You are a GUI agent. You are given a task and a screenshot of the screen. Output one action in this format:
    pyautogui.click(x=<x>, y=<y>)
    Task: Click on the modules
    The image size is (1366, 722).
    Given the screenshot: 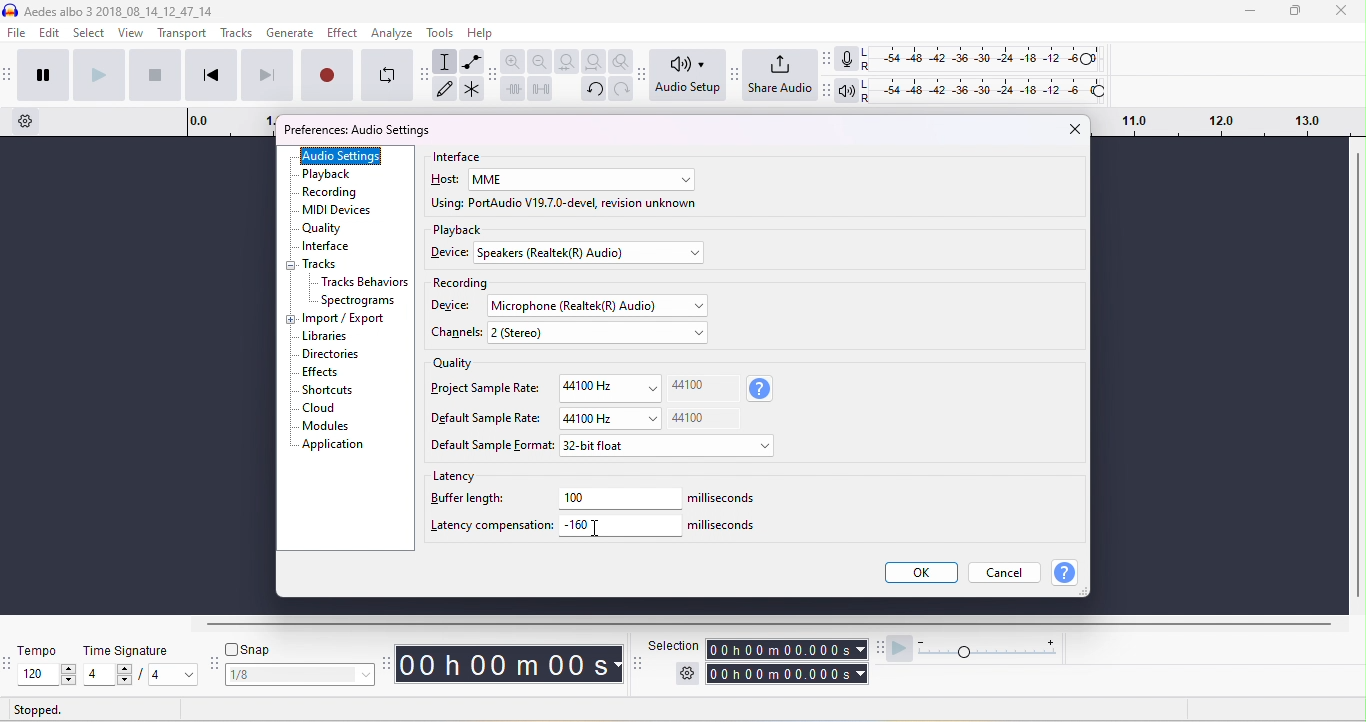 What is the action you would take?
    pyautogui.click(x=324, y=426)
    